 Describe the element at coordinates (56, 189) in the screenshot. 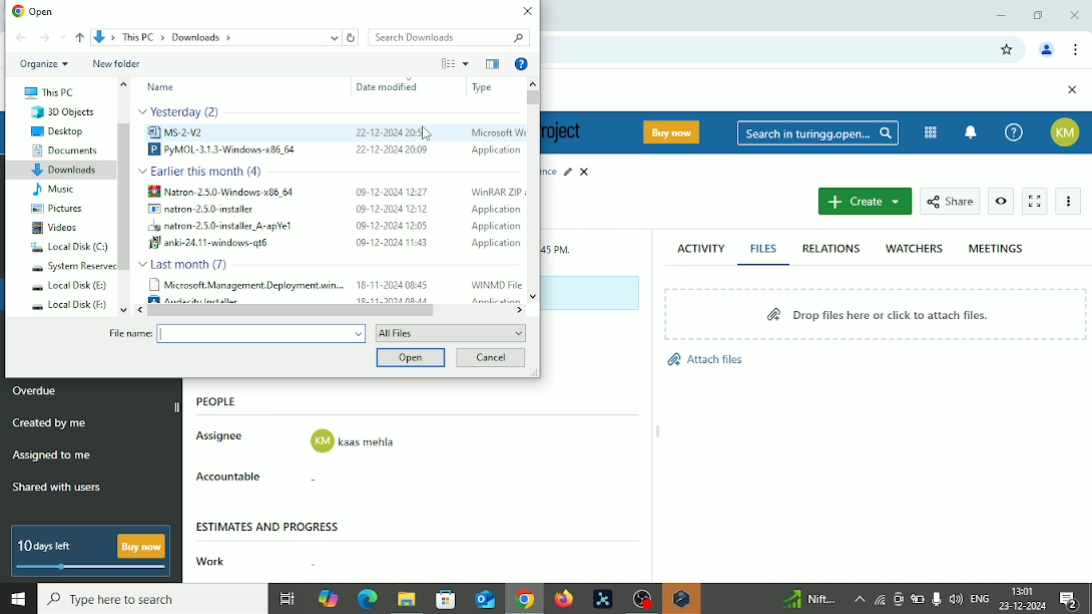

I see `Music` at that location.